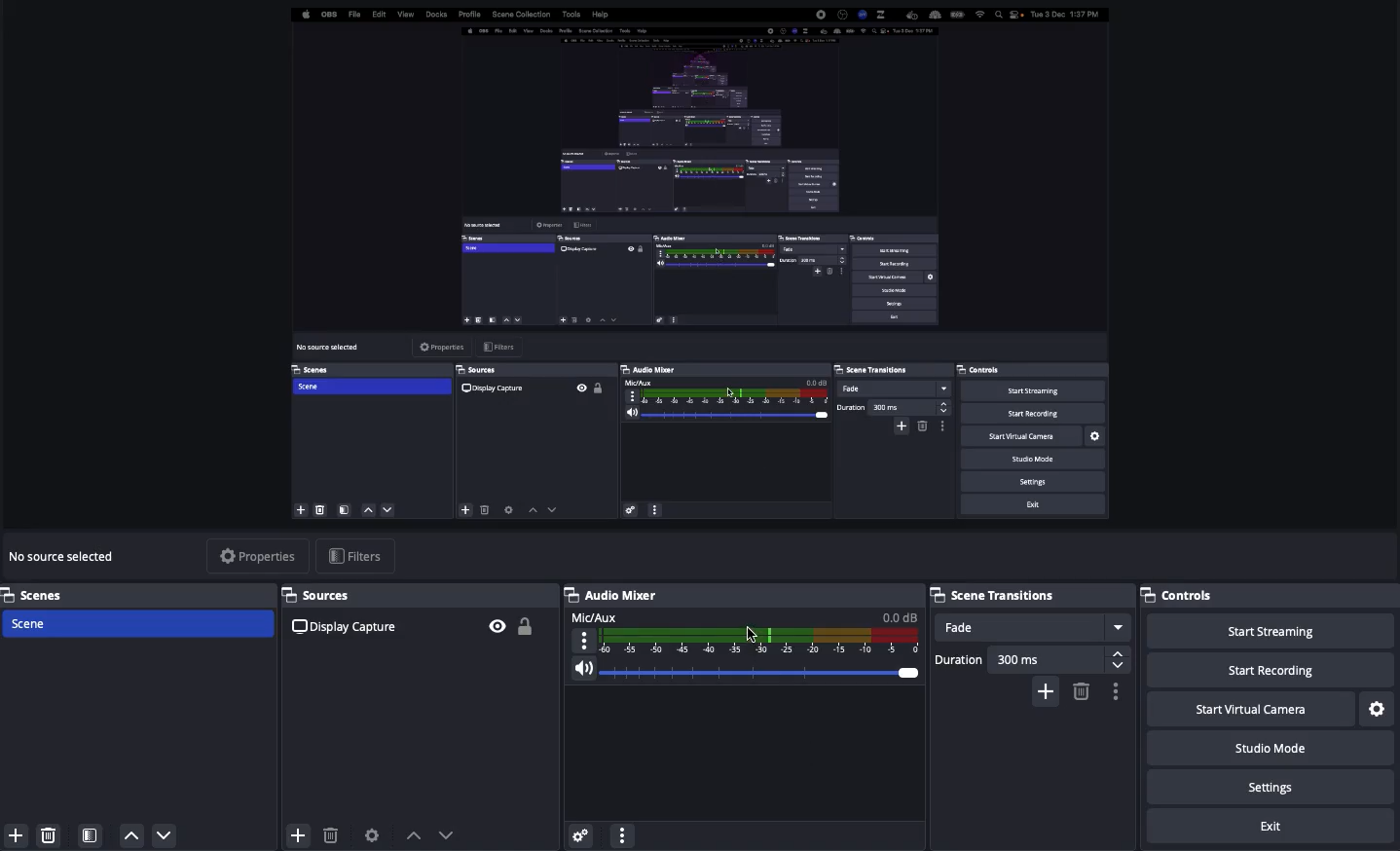  I want to click on Scene transitions, so click(998, 596).